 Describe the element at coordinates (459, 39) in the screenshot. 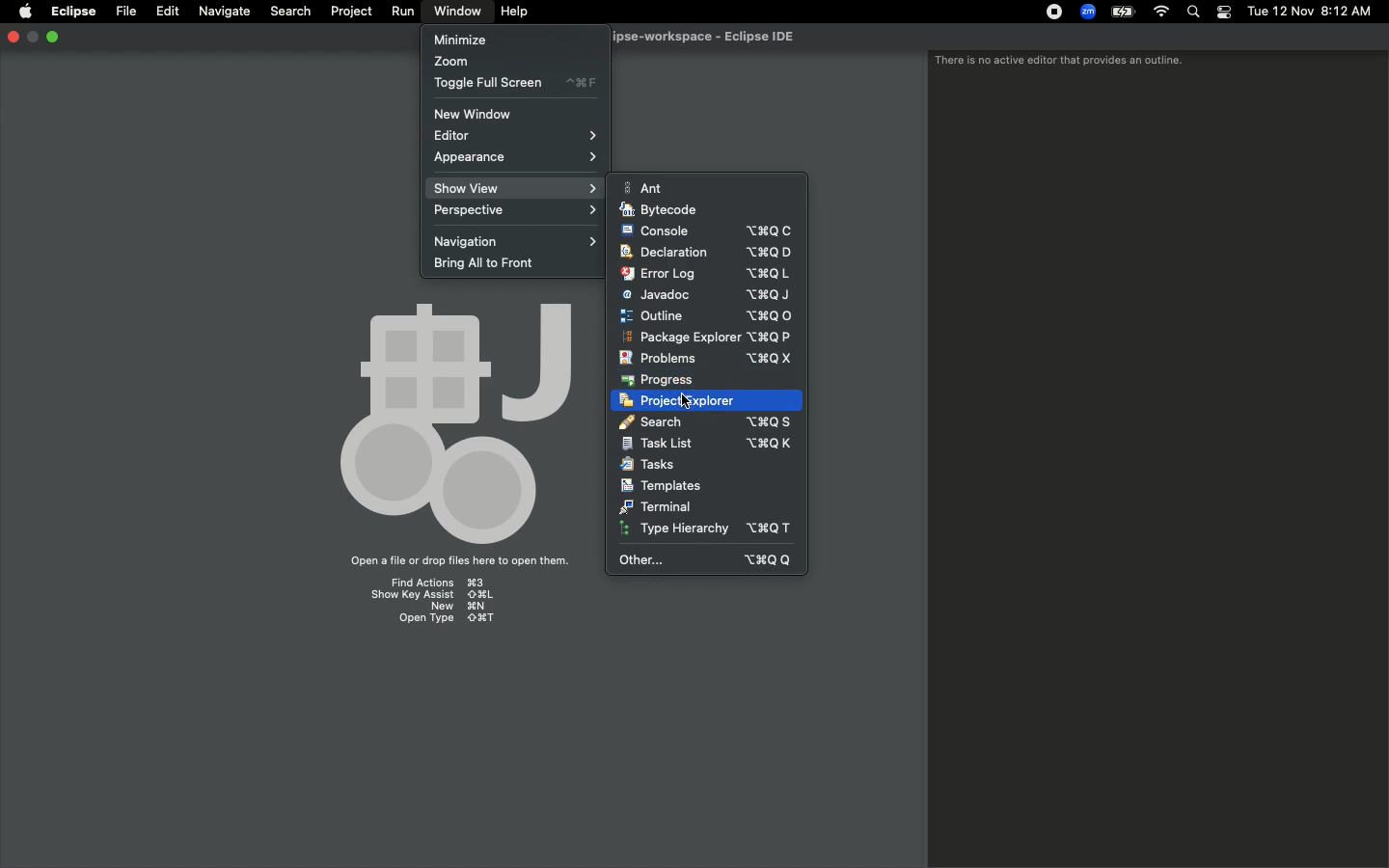

I see `Minimize` at that location.